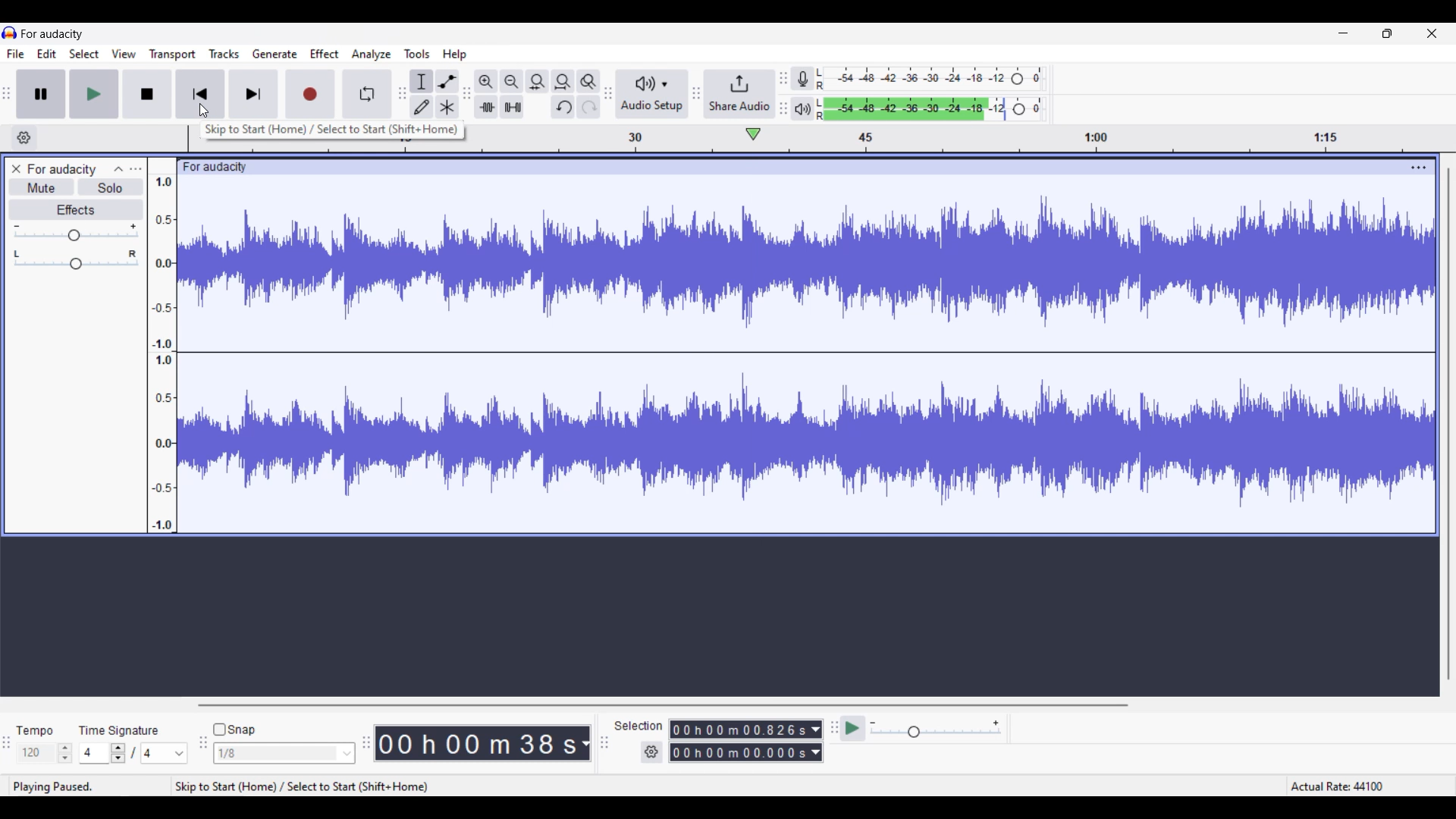 The image size is (1456, 819). Describe the element at coordinates (1432, 33) in the screenshot. I see `Close interface` at that location.